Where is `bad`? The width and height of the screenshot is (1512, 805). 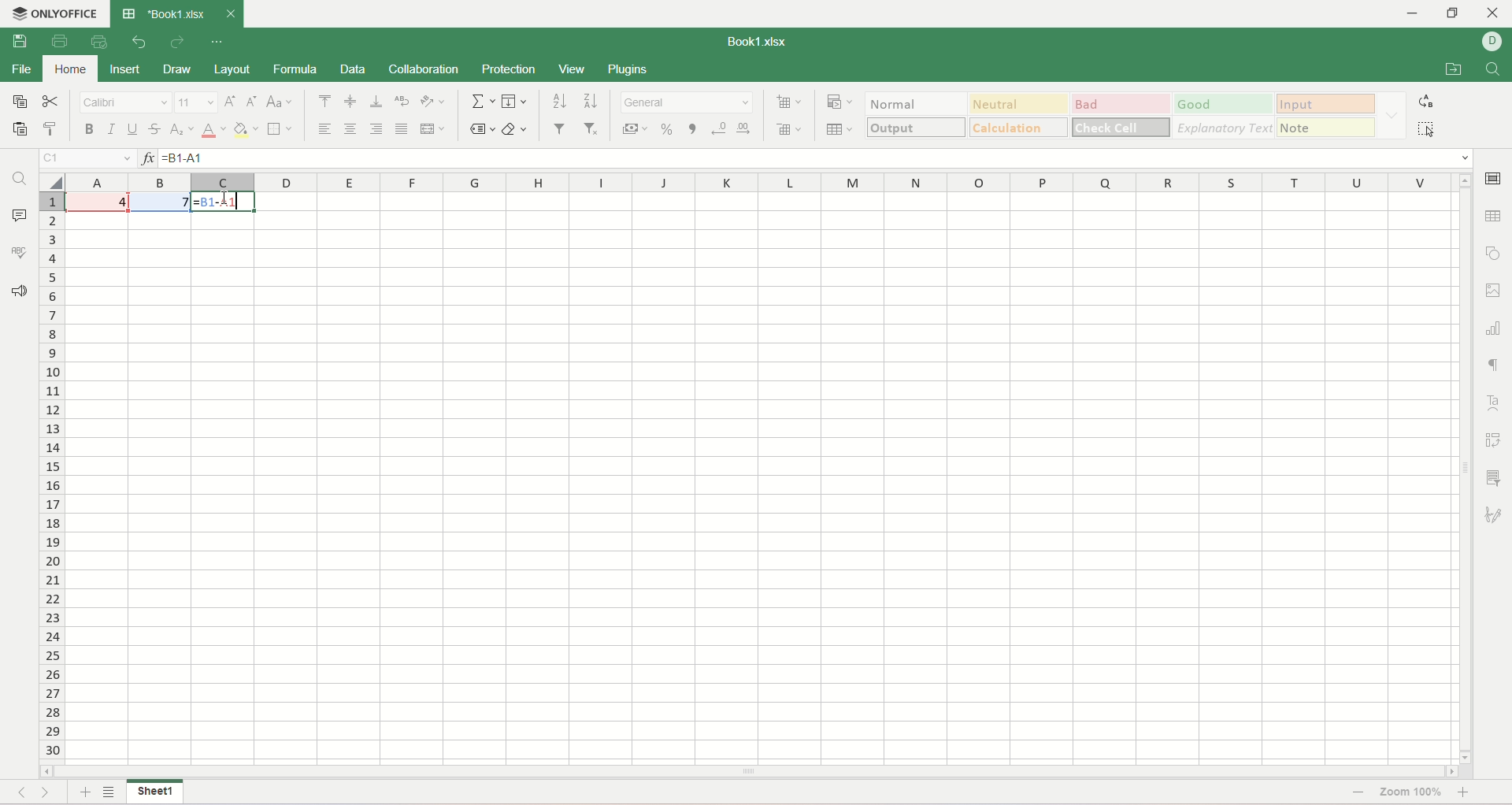 bad is located at coordinates (1121, 103).